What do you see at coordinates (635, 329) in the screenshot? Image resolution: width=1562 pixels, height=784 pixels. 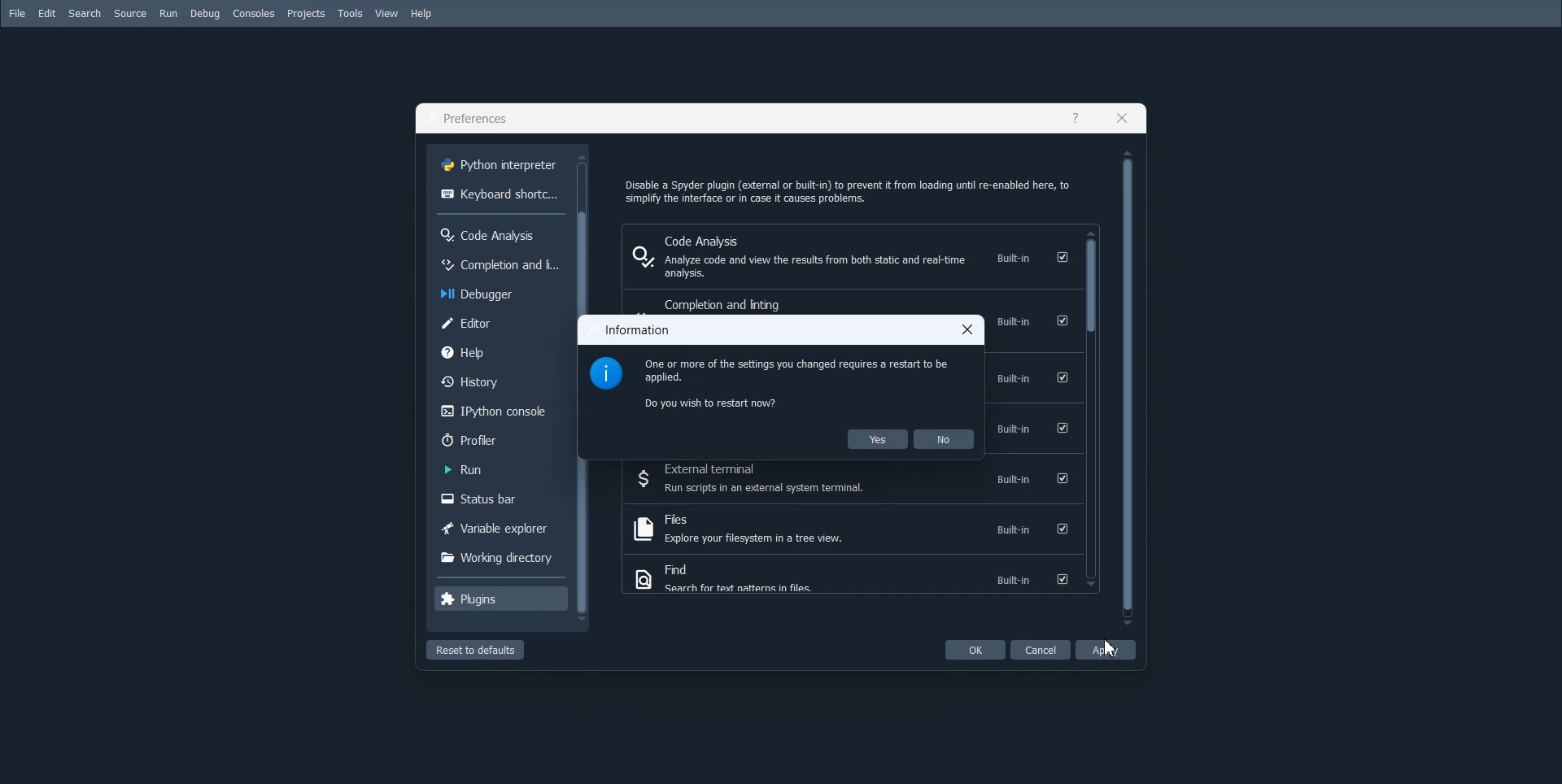 I see `Text` at bounding box center [635, 329].